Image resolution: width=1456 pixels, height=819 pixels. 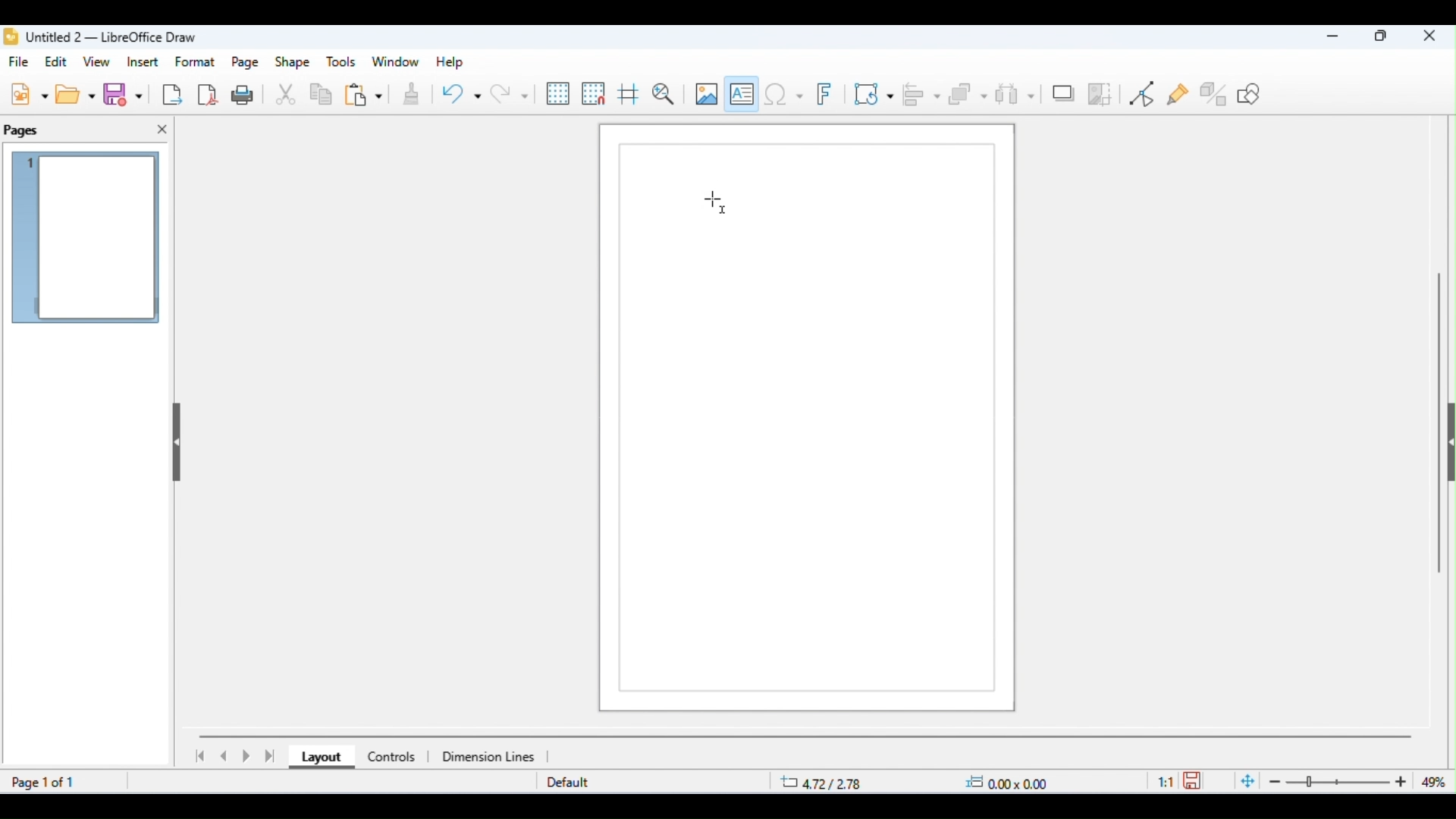 What do you see at coordinates (209, 93) in the screenshot?
I see `export as pdf` at bounding box center [209, 93].